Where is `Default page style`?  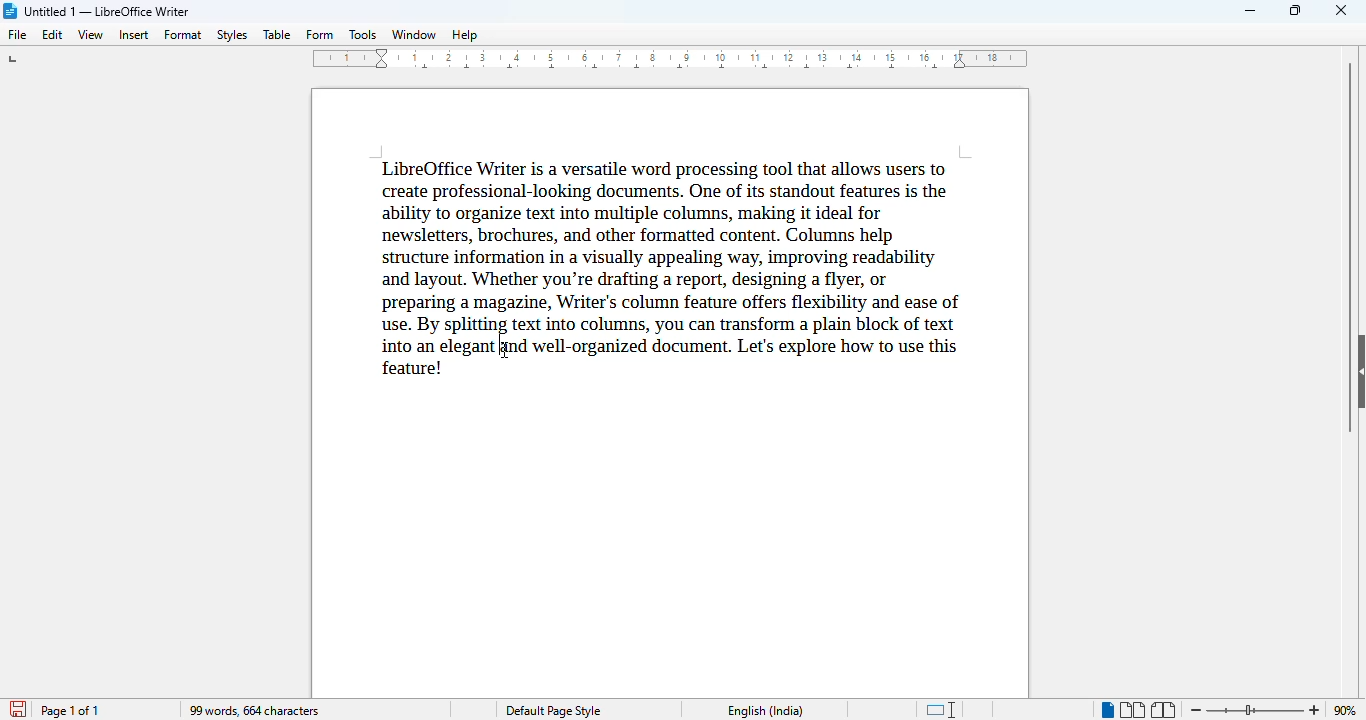
Default page style is located at coordinates (557, 711).